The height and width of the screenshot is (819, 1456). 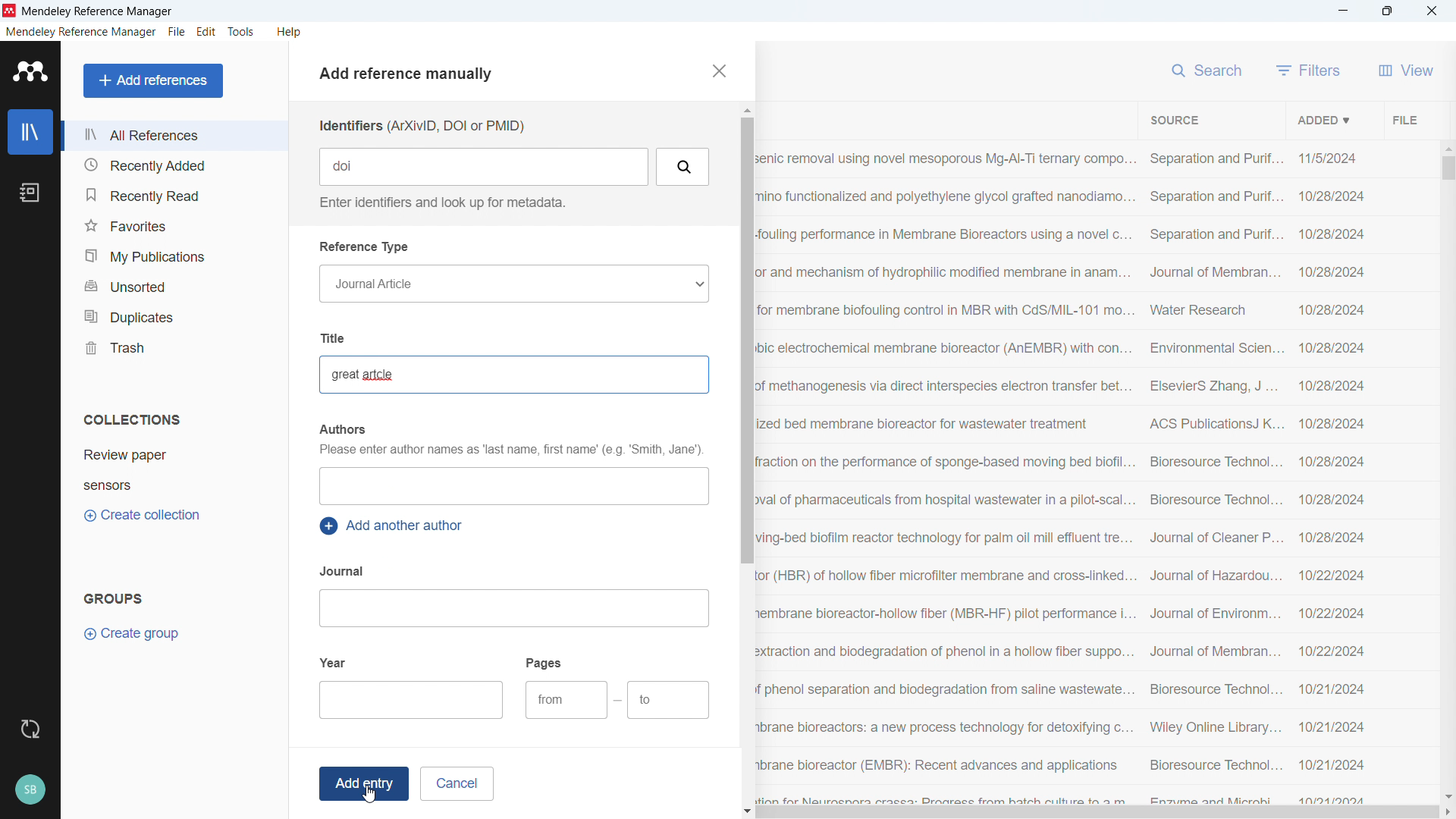 What do you see at coordinates (485, 167) in the screenshot?
I see `Add Identifier ` at bounding box center [485, 167].